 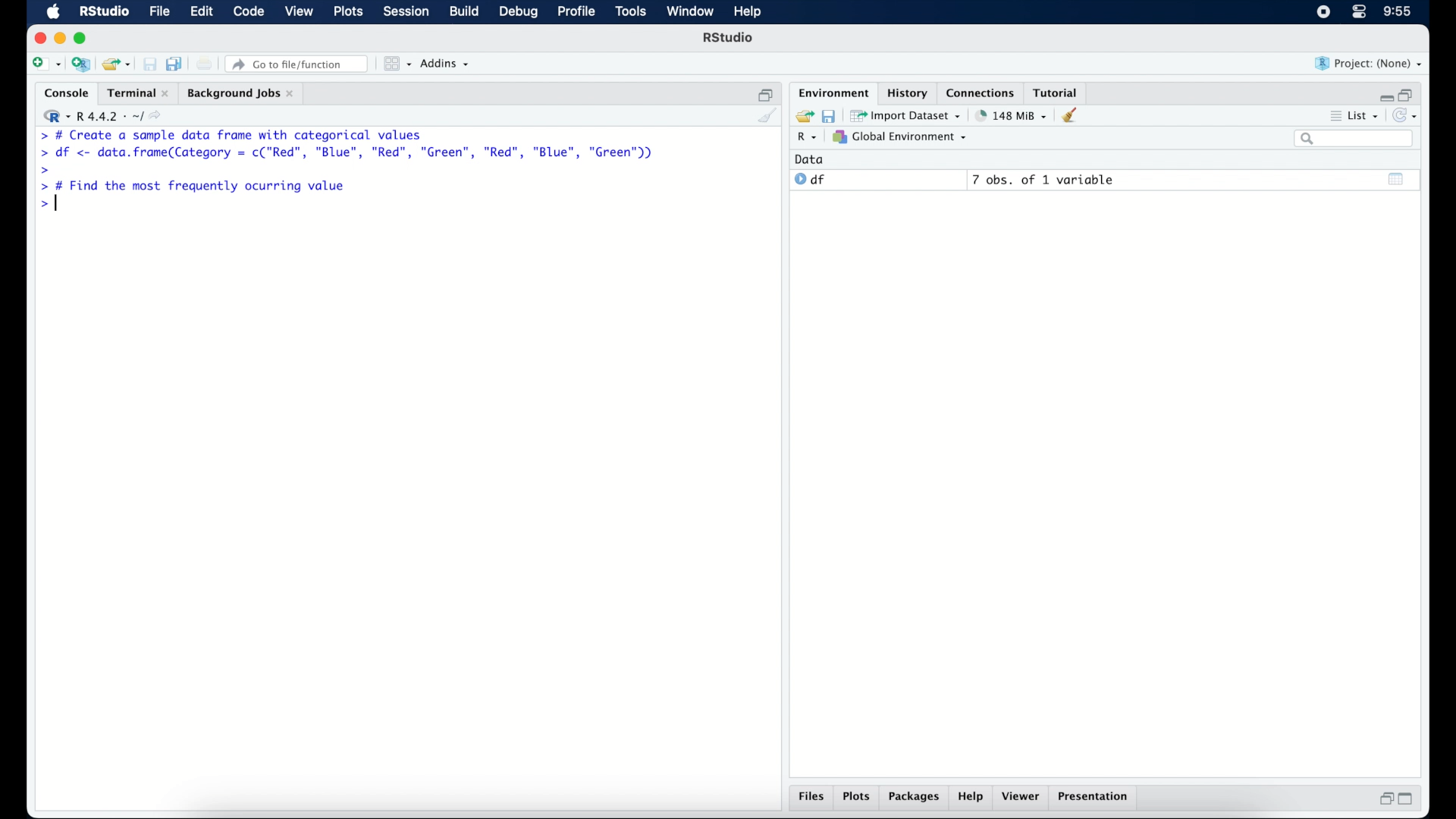 I want to click on global environment, so click(x=905, y=137).